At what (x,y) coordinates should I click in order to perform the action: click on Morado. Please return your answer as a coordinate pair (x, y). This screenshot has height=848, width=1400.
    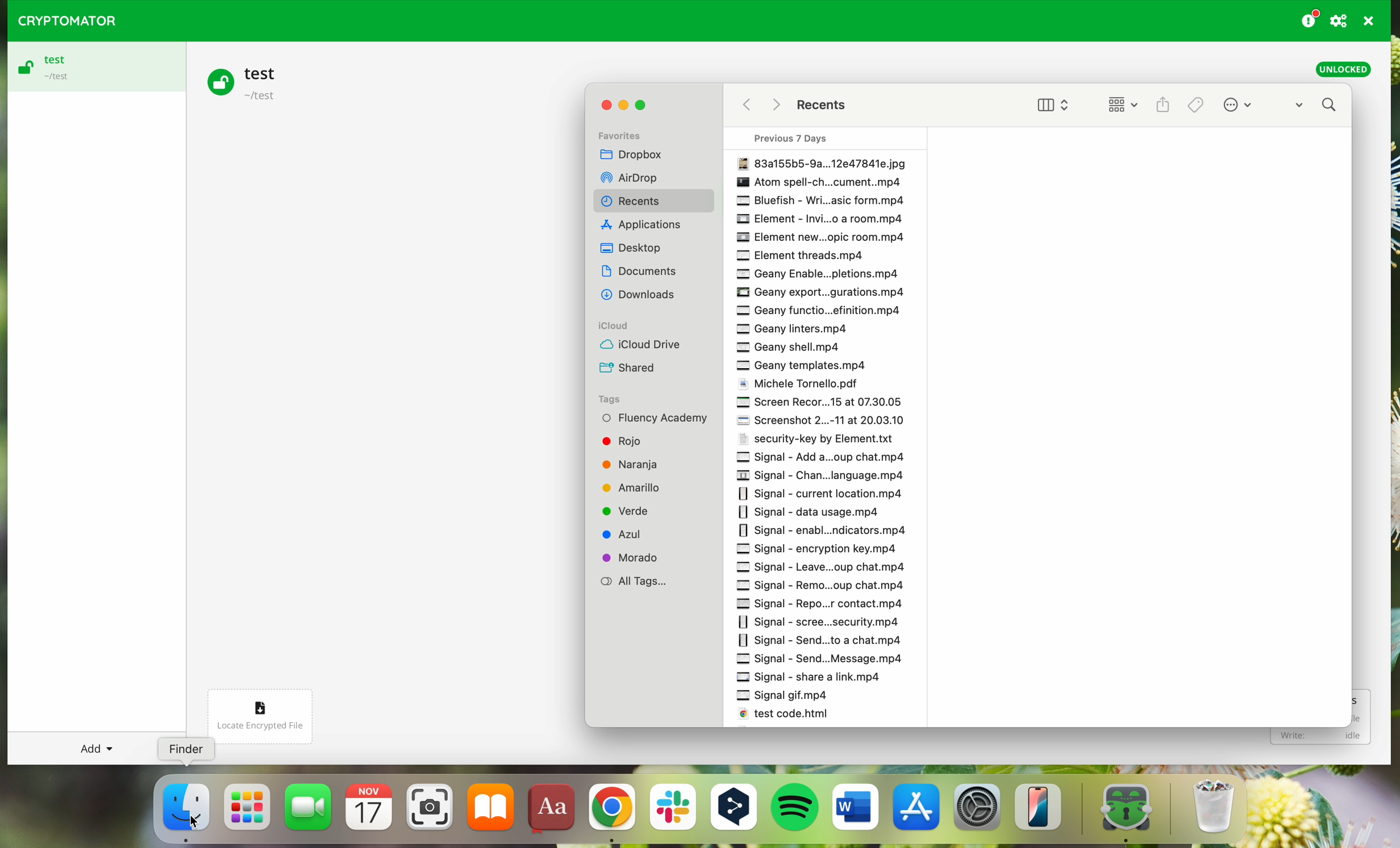
    Looking at the image, I should click on (635, 557).